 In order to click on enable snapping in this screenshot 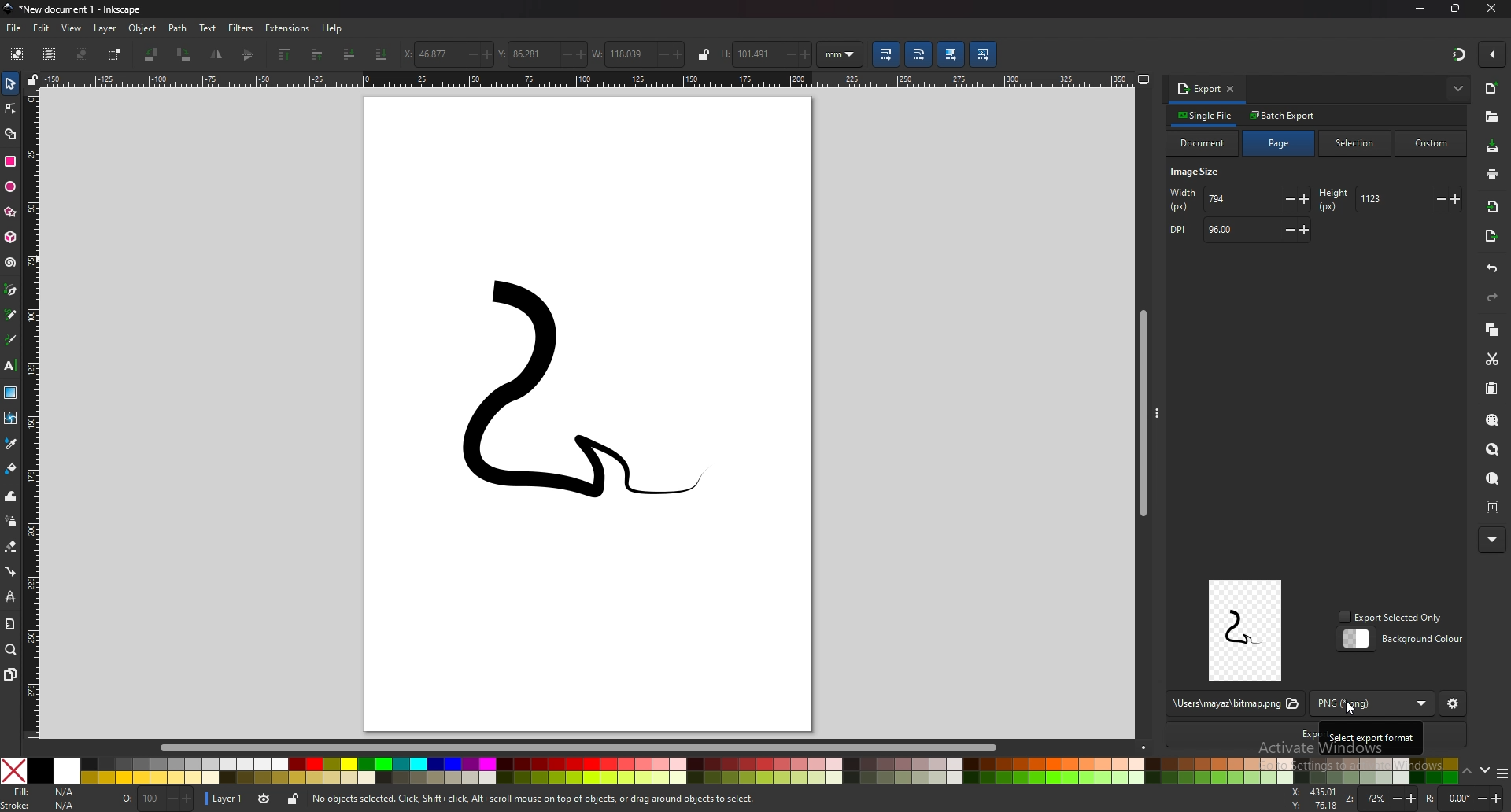, I will do `click(1493, 54)`.